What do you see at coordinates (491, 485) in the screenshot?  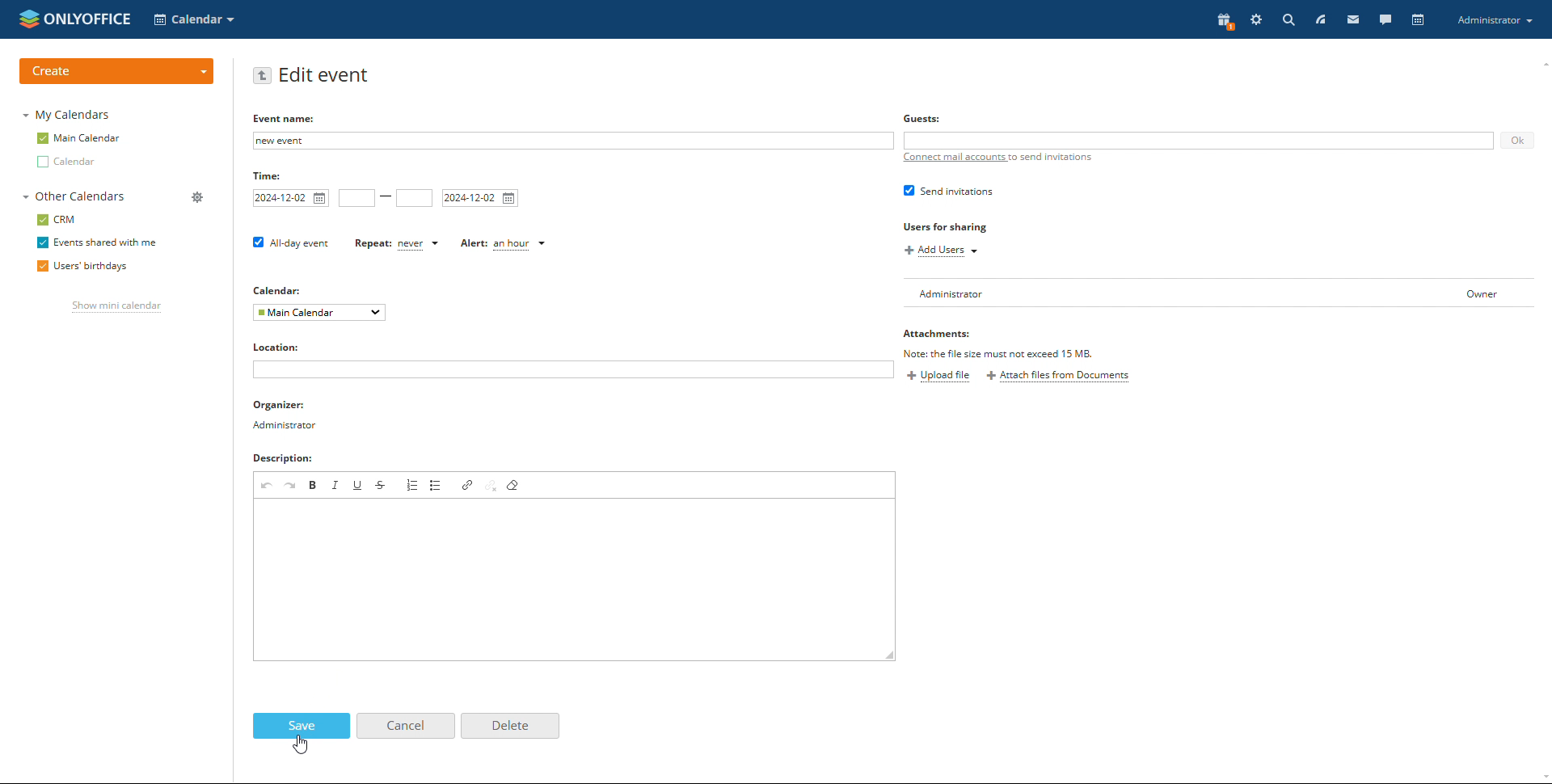 I see `unlink` at bounding box center [491, 485].